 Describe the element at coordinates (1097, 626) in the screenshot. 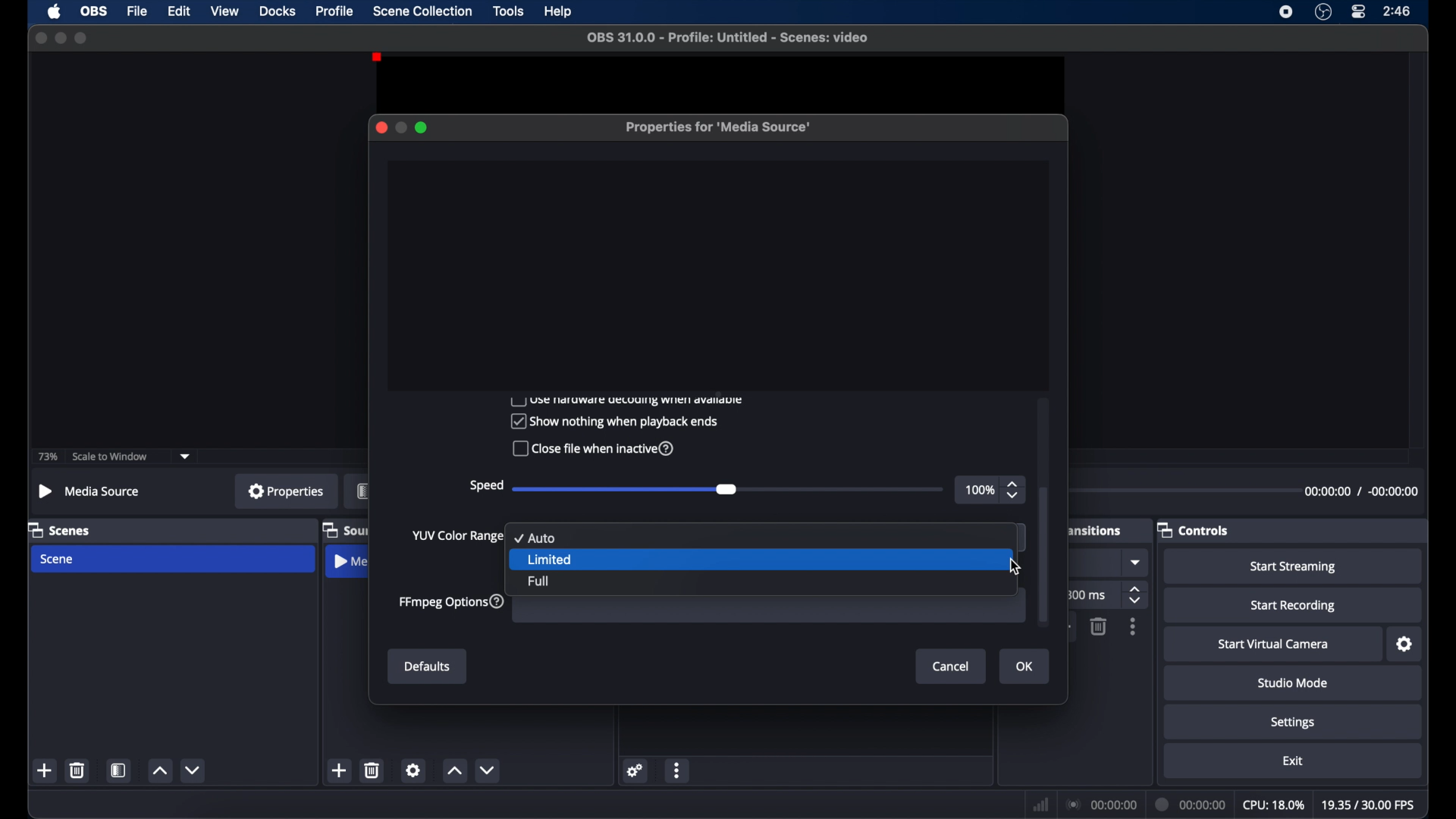

I see `delete` at that location.